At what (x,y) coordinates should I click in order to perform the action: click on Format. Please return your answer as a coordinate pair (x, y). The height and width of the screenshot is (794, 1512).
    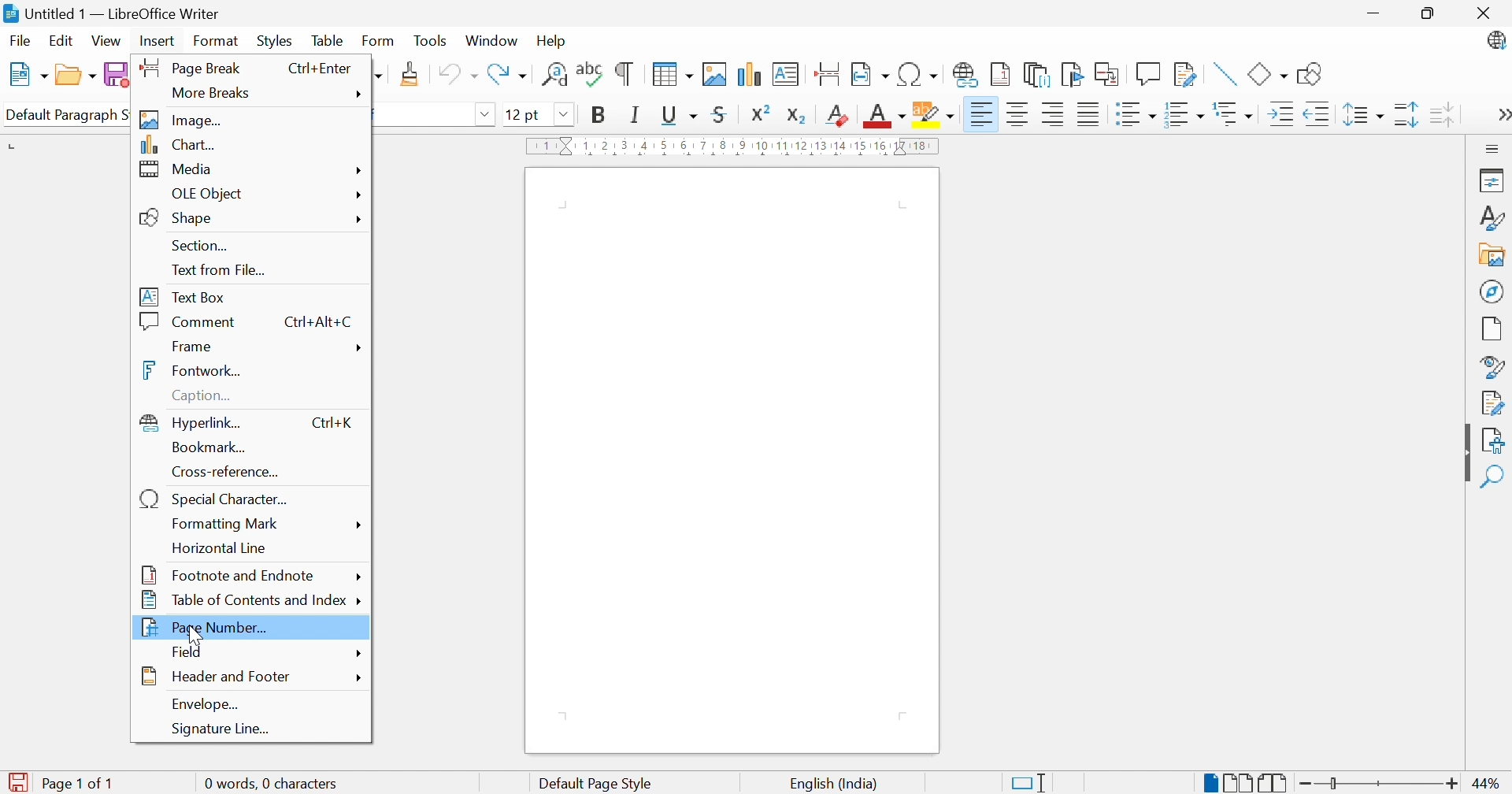
    Looking at the image, I should click on (213, 41).